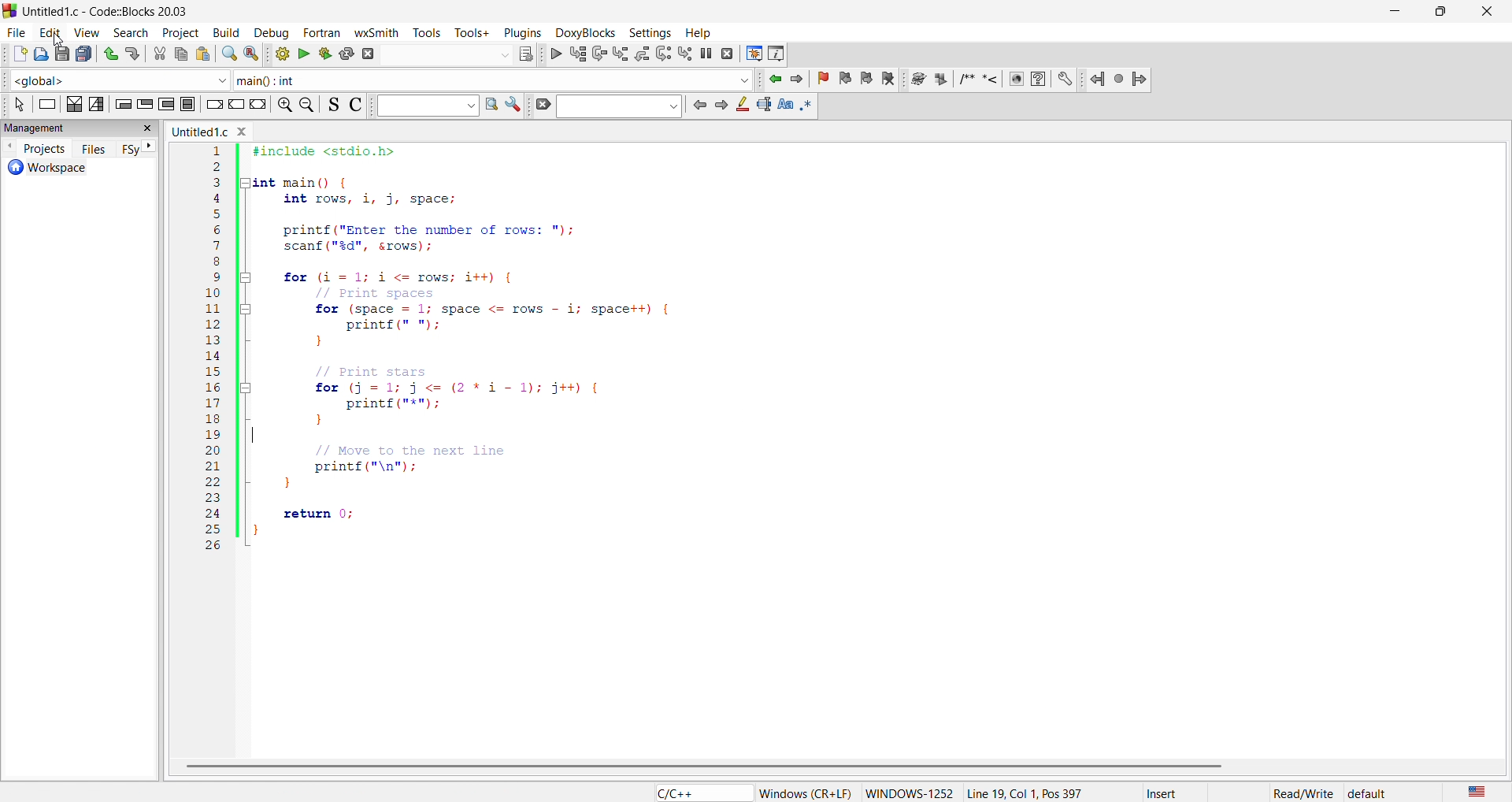  I want to click on FSy, so click(131, 150).